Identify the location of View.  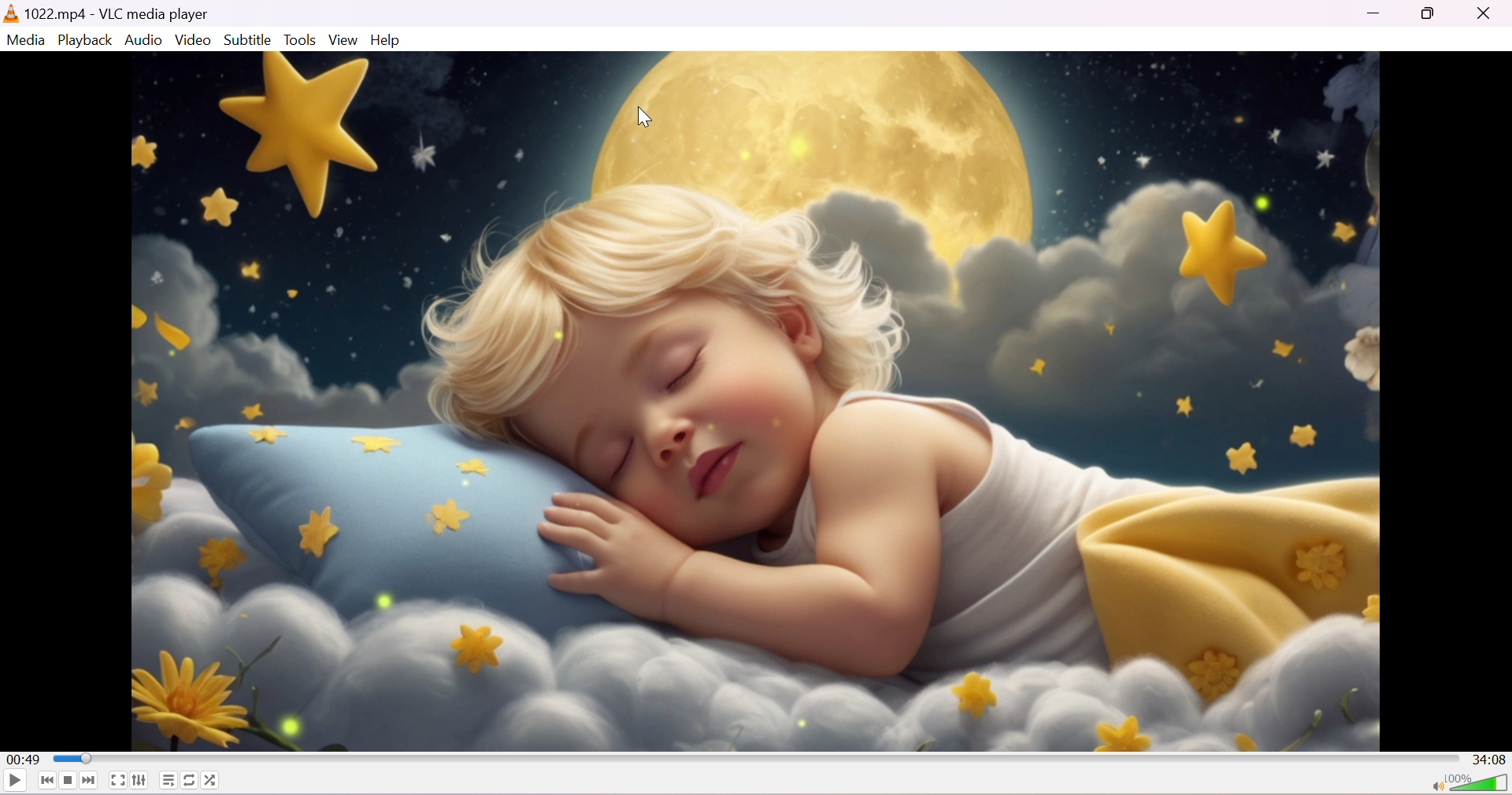
(343, 40).